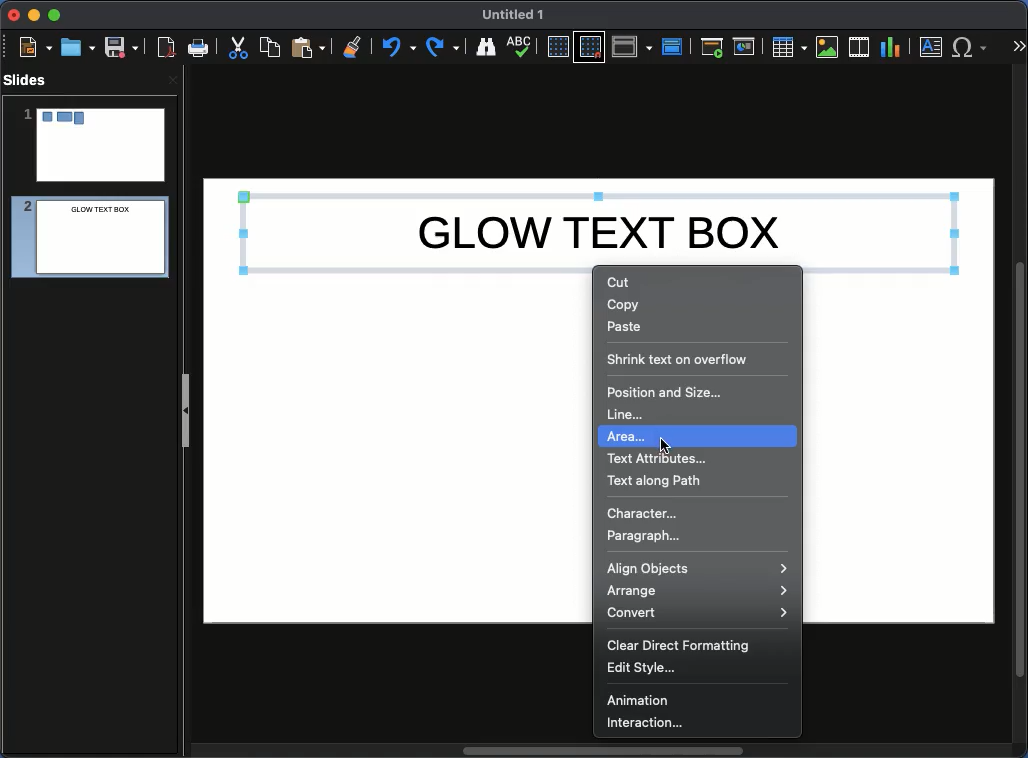  What do you see at coordinates (78, 46) in the screenshot?
I see `Ope` at bounding box center [78, 46].